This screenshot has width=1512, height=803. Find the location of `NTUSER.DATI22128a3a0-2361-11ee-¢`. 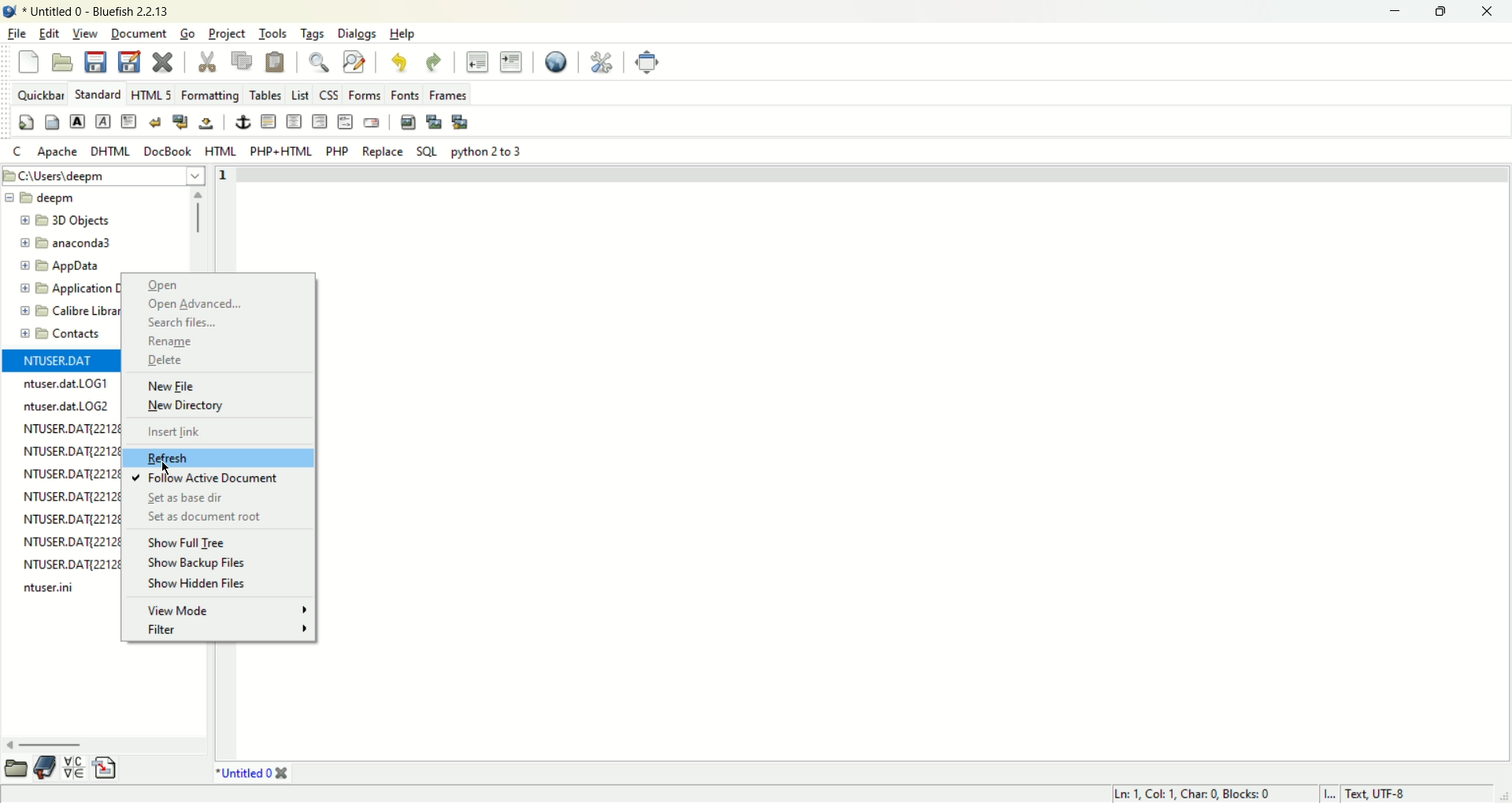

NTUSER.DATI22128a3a0-2361-11ee-¢ is located at coordinates (69, 519).